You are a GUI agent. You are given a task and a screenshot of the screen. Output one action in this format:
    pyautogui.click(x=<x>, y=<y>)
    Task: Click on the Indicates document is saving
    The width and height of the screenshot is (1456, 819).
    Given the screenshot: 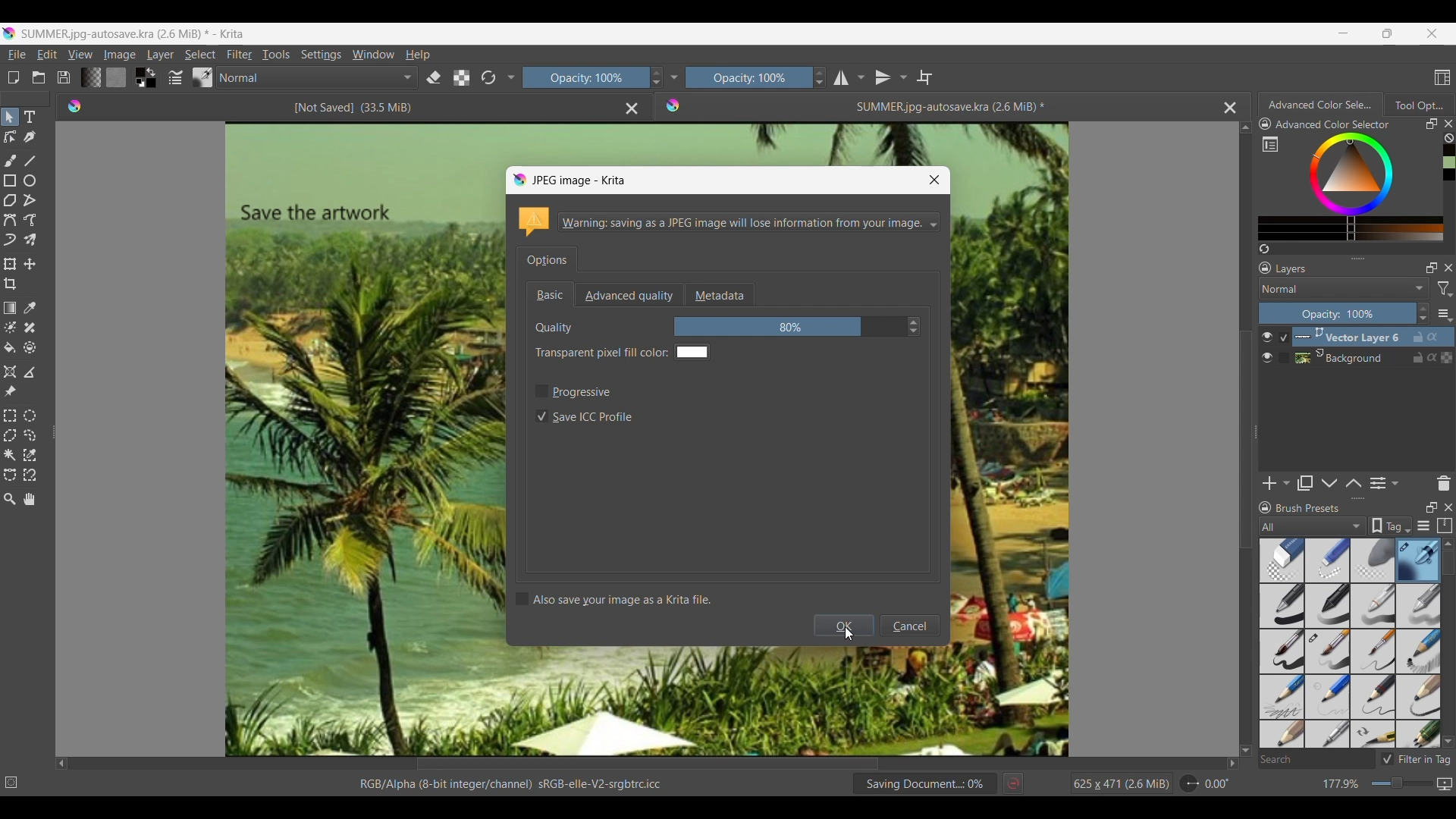 What is the action you would take?
    pyautogui.click(x=924, y=783)
    